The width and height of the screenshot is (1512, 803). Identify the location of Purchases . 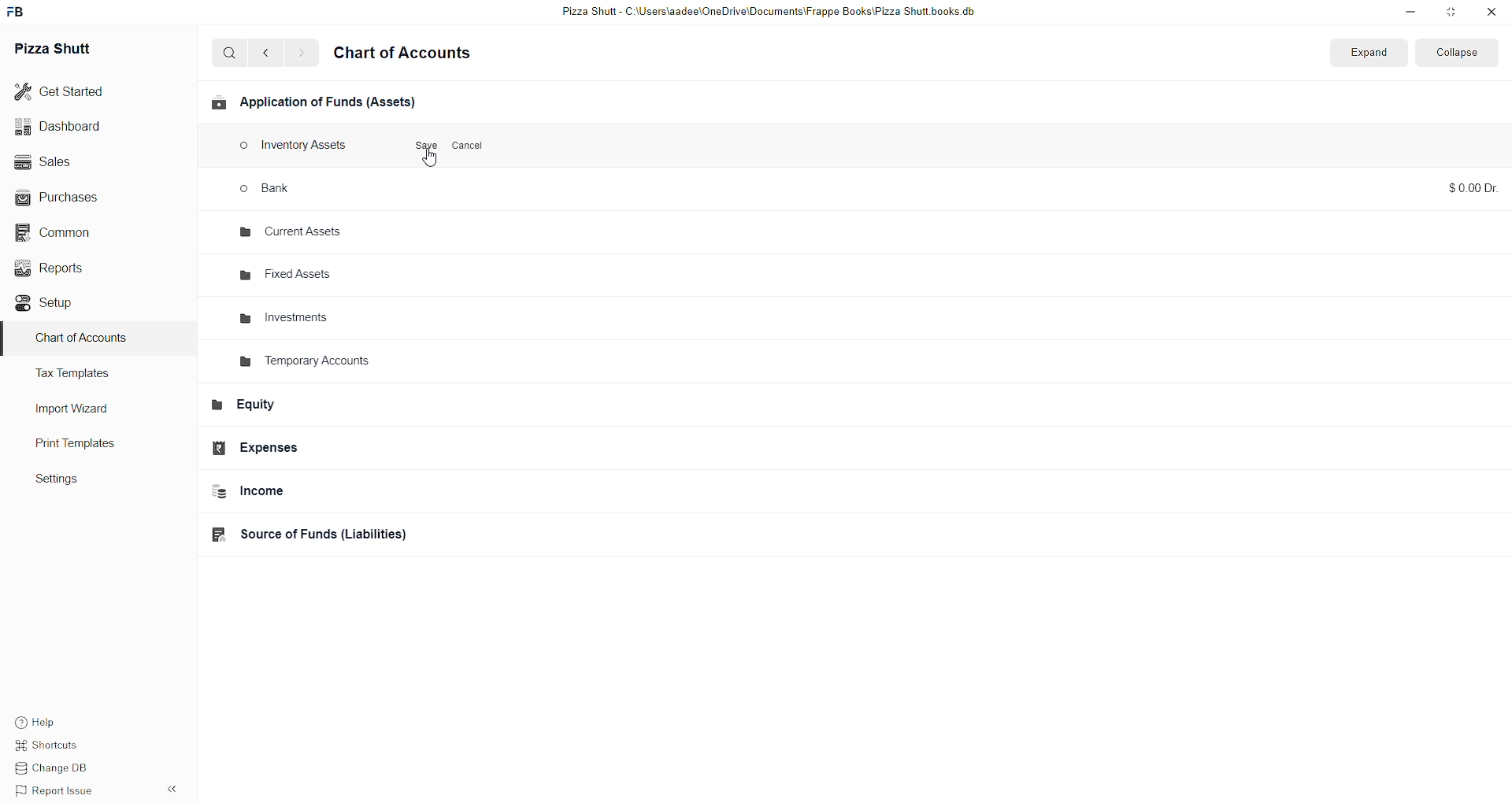
(65, 196).